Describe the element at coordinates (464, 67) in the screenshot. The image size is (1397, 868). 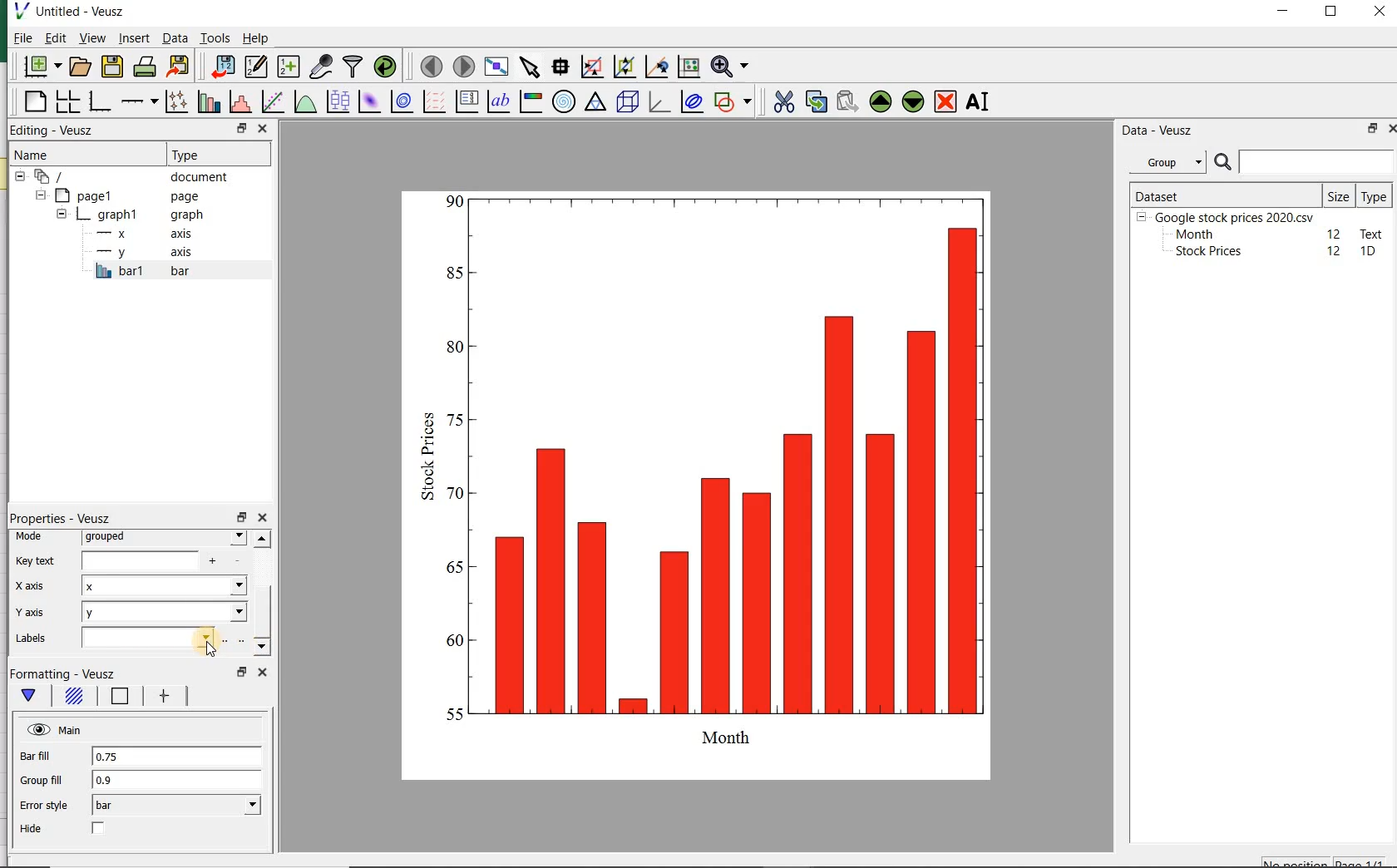
I see `move to the next page` at that location.